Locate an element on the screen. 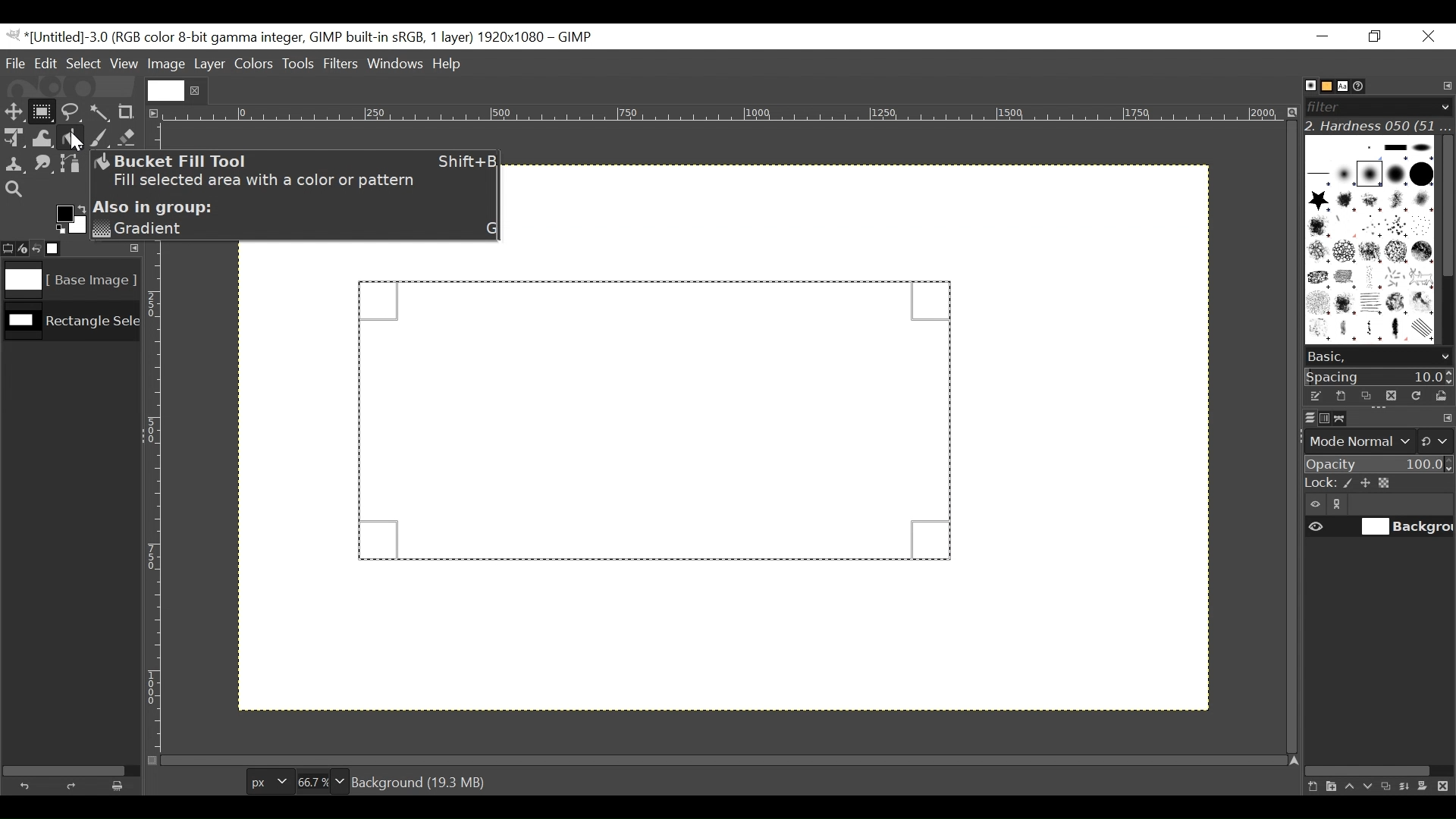  Background is located at coordinates (758, 495).